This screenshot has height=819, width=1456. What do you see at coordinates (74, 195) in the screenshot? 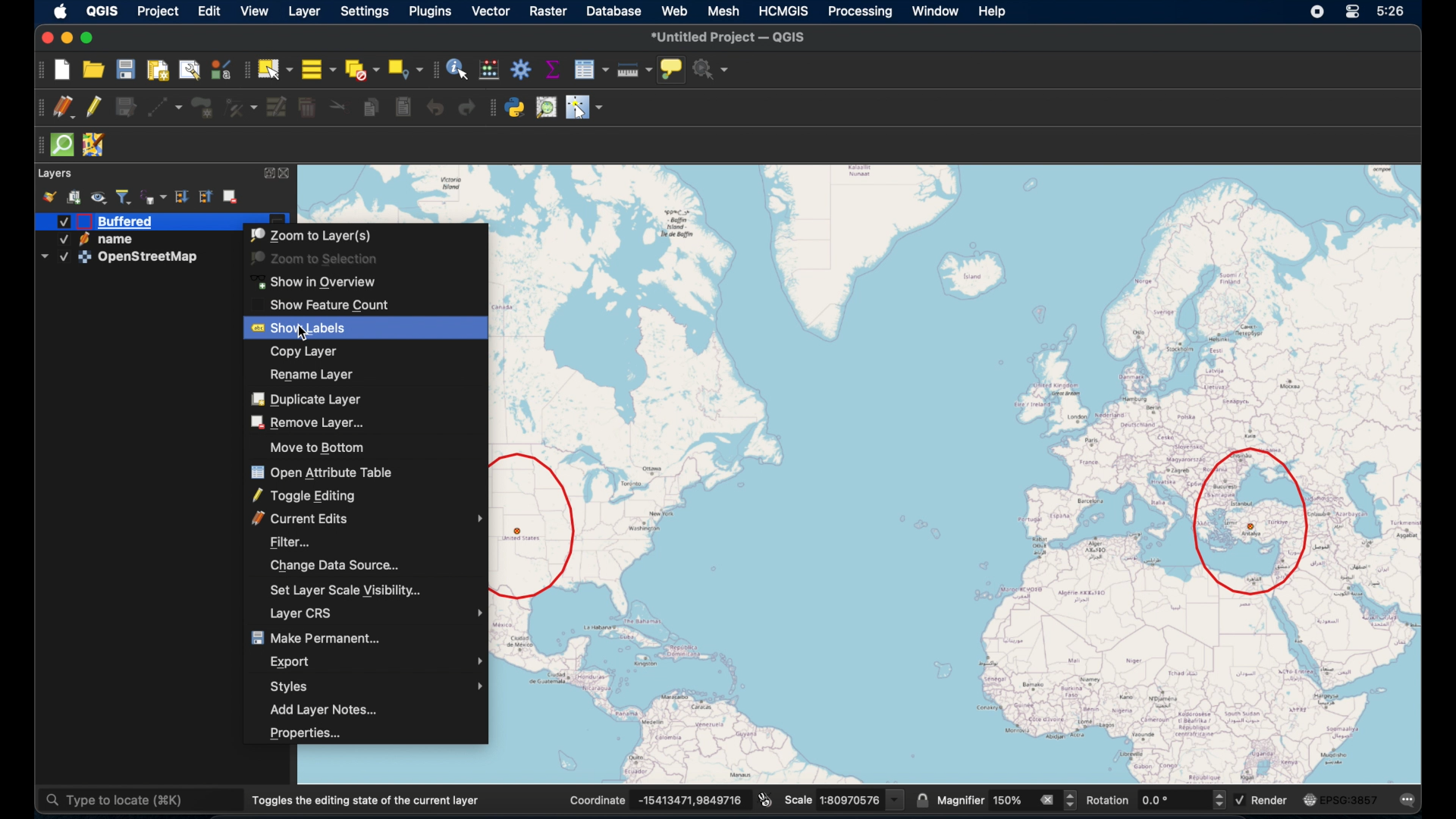
I see `add group` at bounding box center [74, 195].